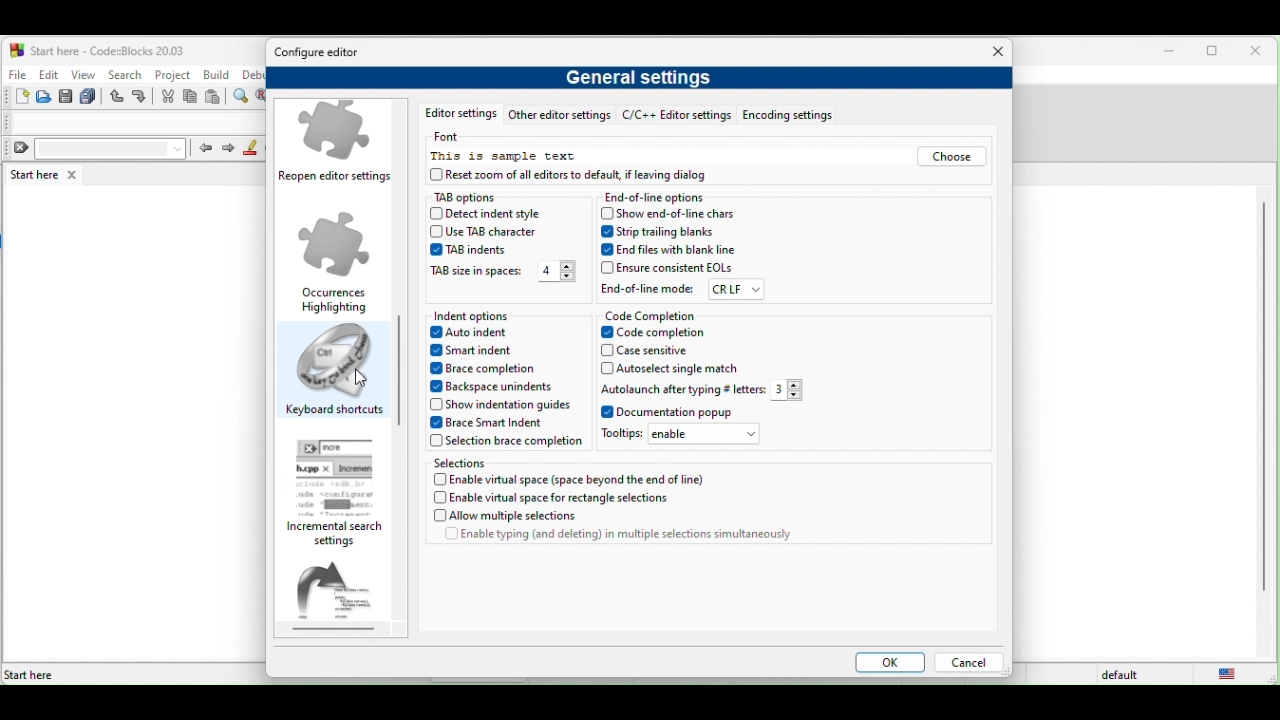 The width and height of the screenshot is (1280, 720). What do you see at coordinates (45, 97) in the screenshot?
I see `open` at bounding box center [45, 97].